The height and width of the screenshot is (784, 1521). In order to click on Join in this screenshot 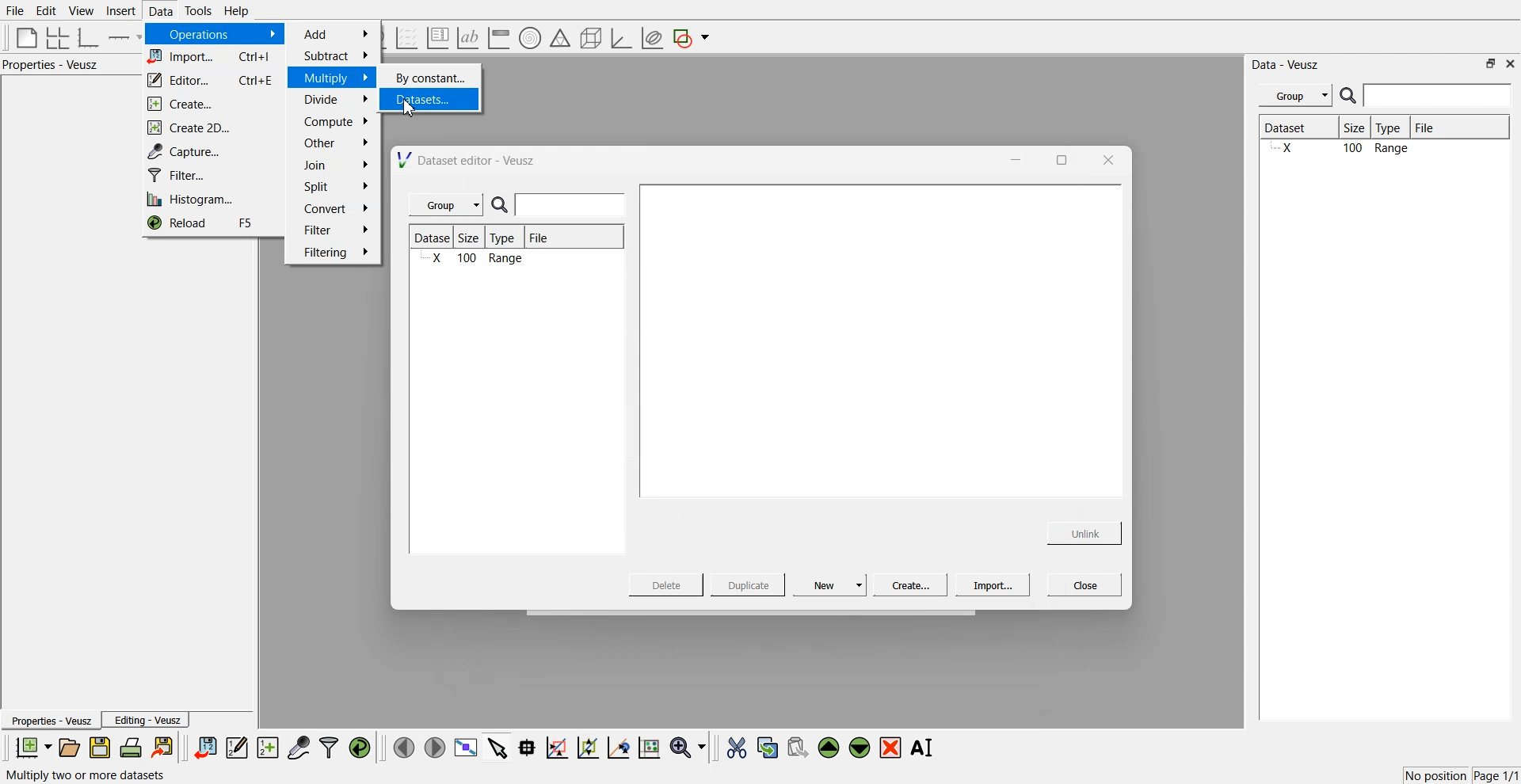, I will do `click(337, 167)`.